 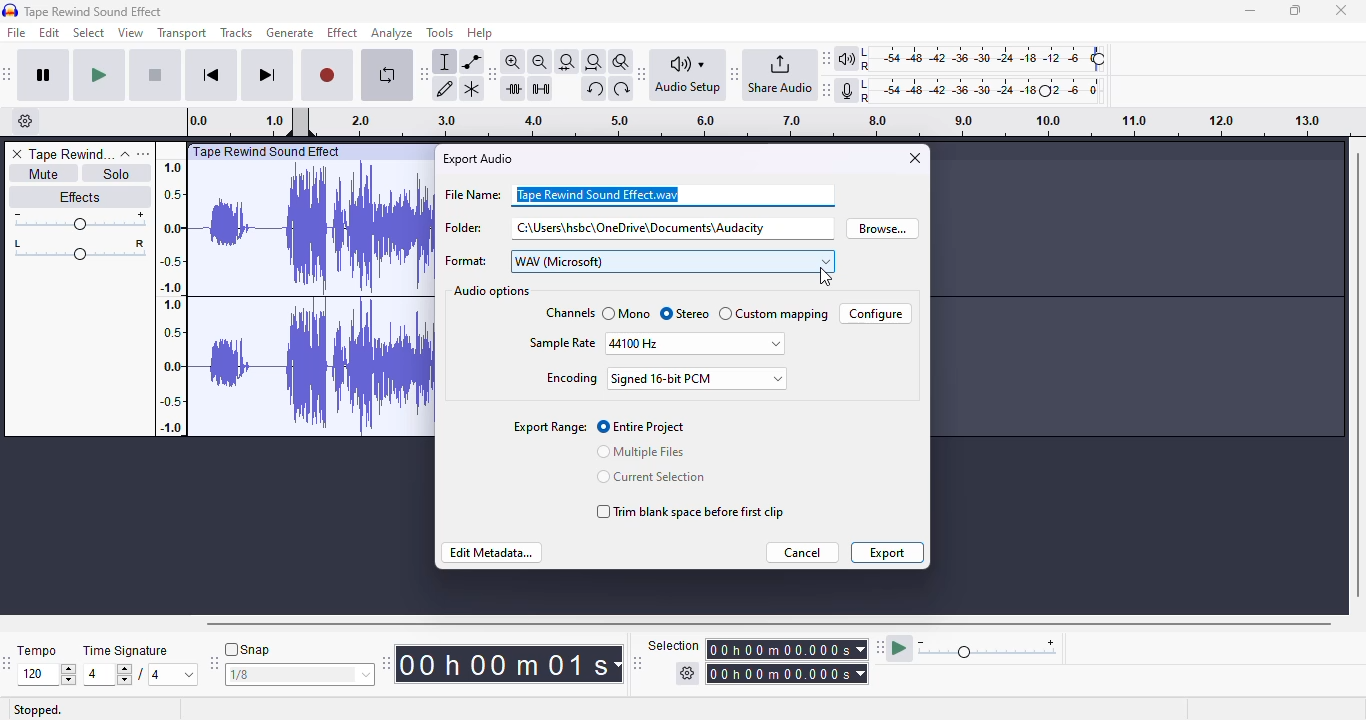 I want to click on audacity time toolbar, so click(x=504, y=664).